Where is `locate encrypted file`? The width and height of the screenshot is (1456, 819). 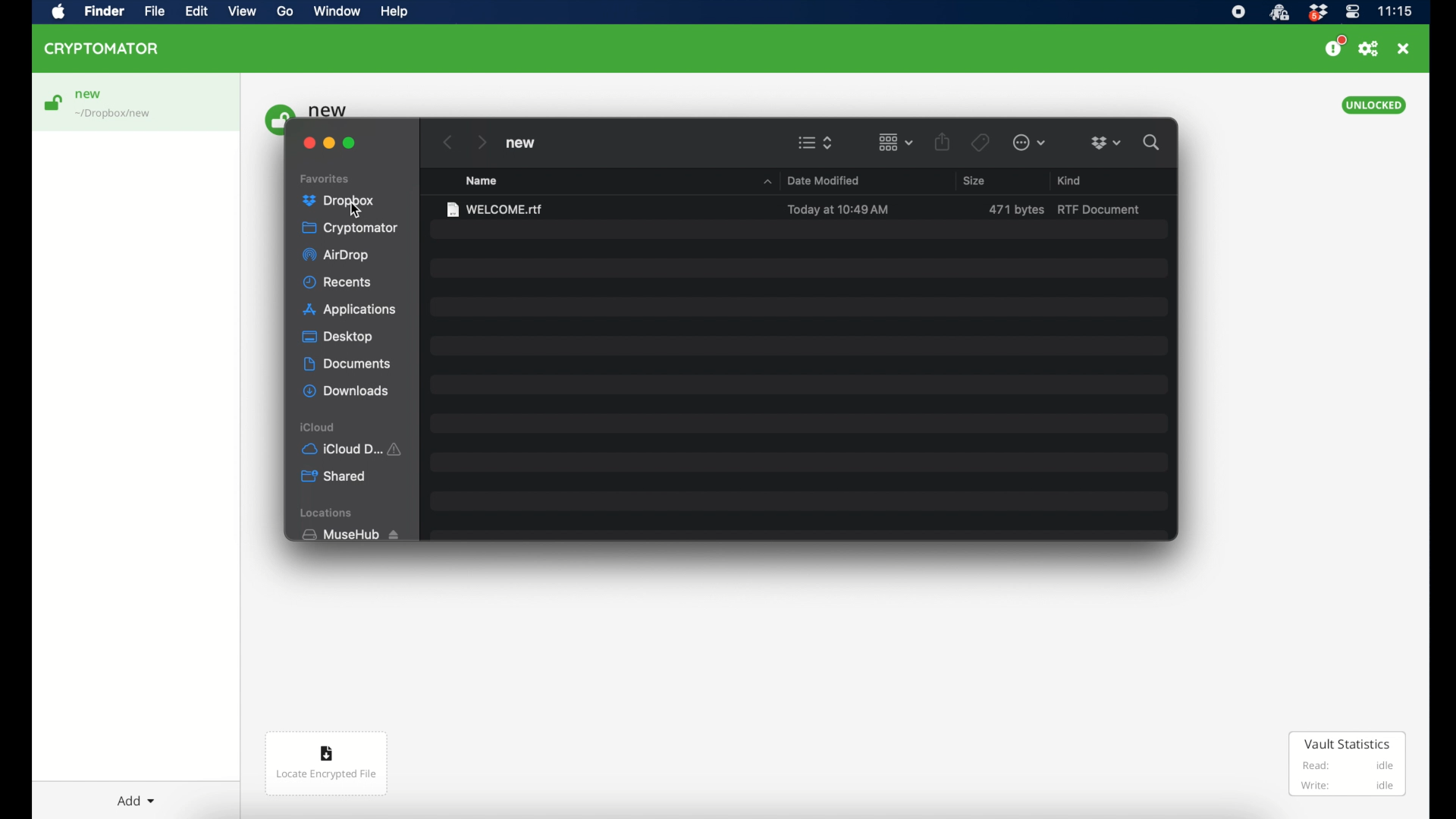
locate encrypted file is located at coordinates (327, 764).